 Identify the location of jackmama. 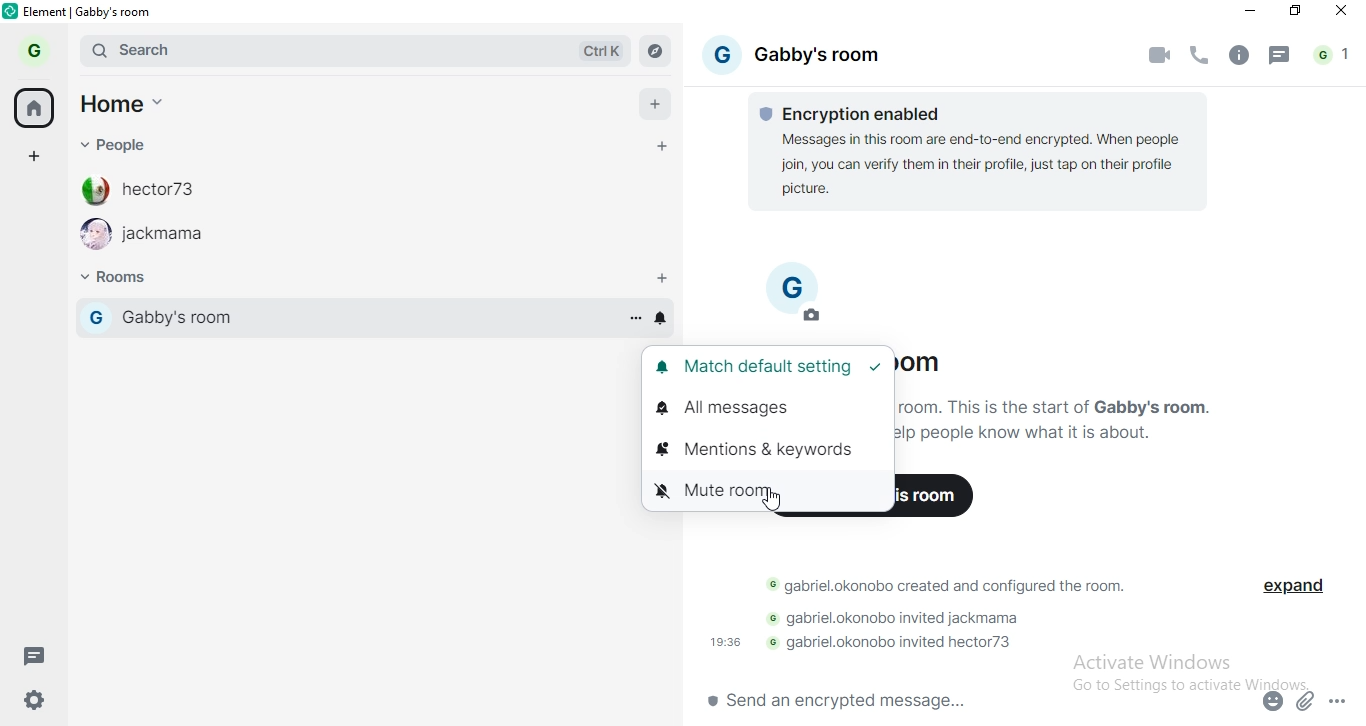
(172, 239).